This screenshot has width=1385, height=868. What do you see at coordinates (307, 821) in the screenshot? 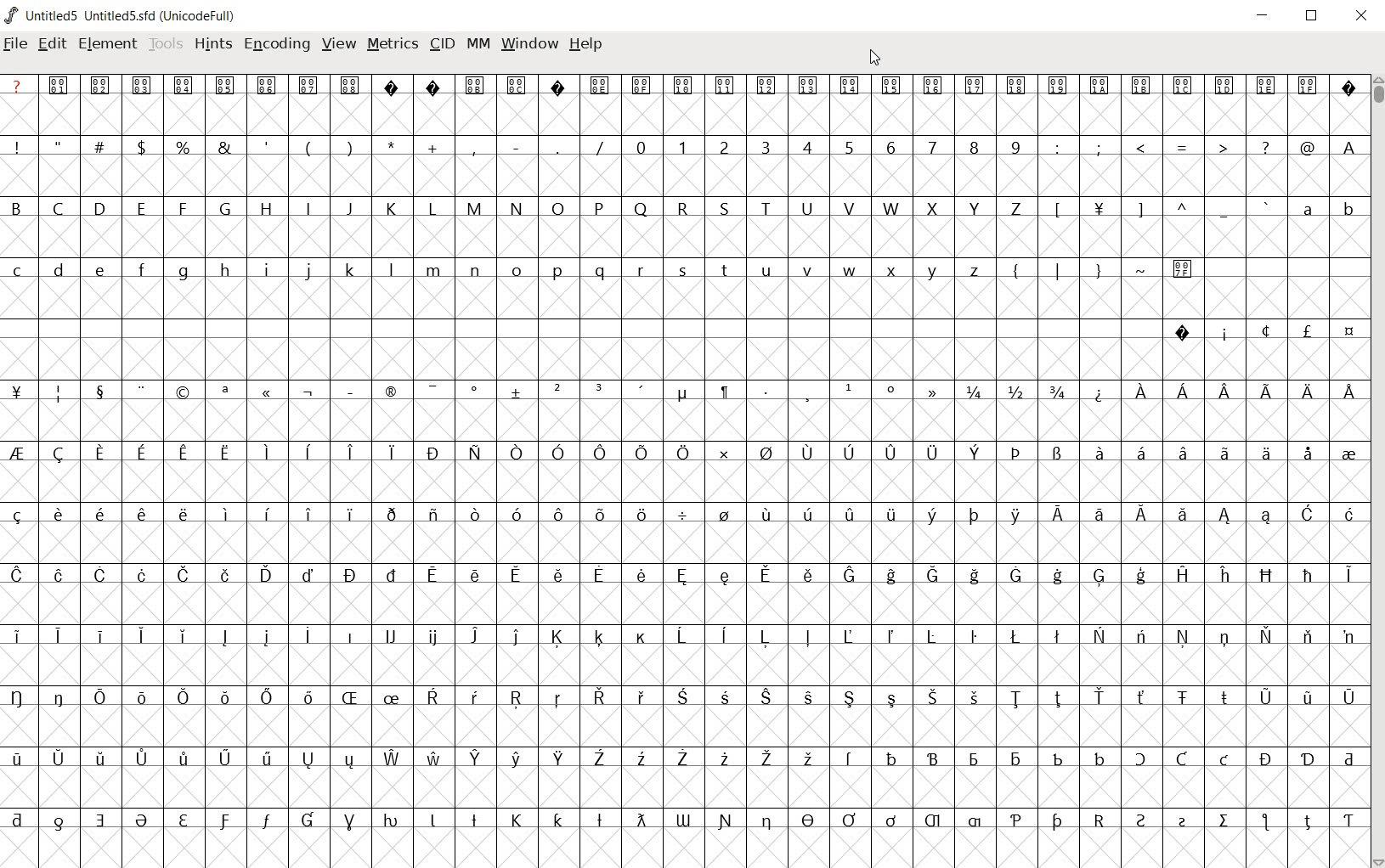
I see `Symbol` at bounding box center [307, 821].